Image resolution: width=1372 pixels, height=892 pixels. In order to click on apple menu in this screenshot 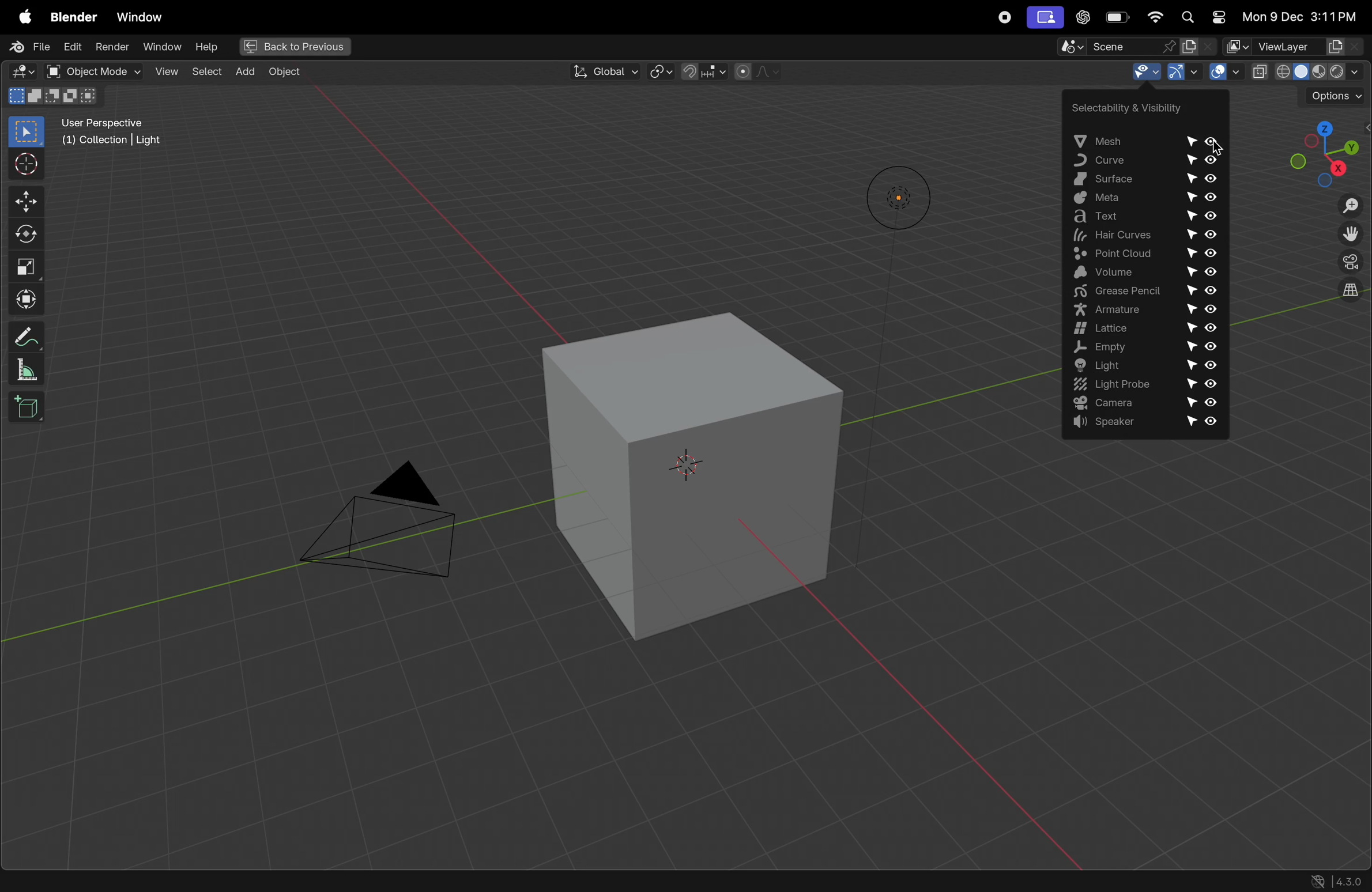, I will do `click(21, 18)`.